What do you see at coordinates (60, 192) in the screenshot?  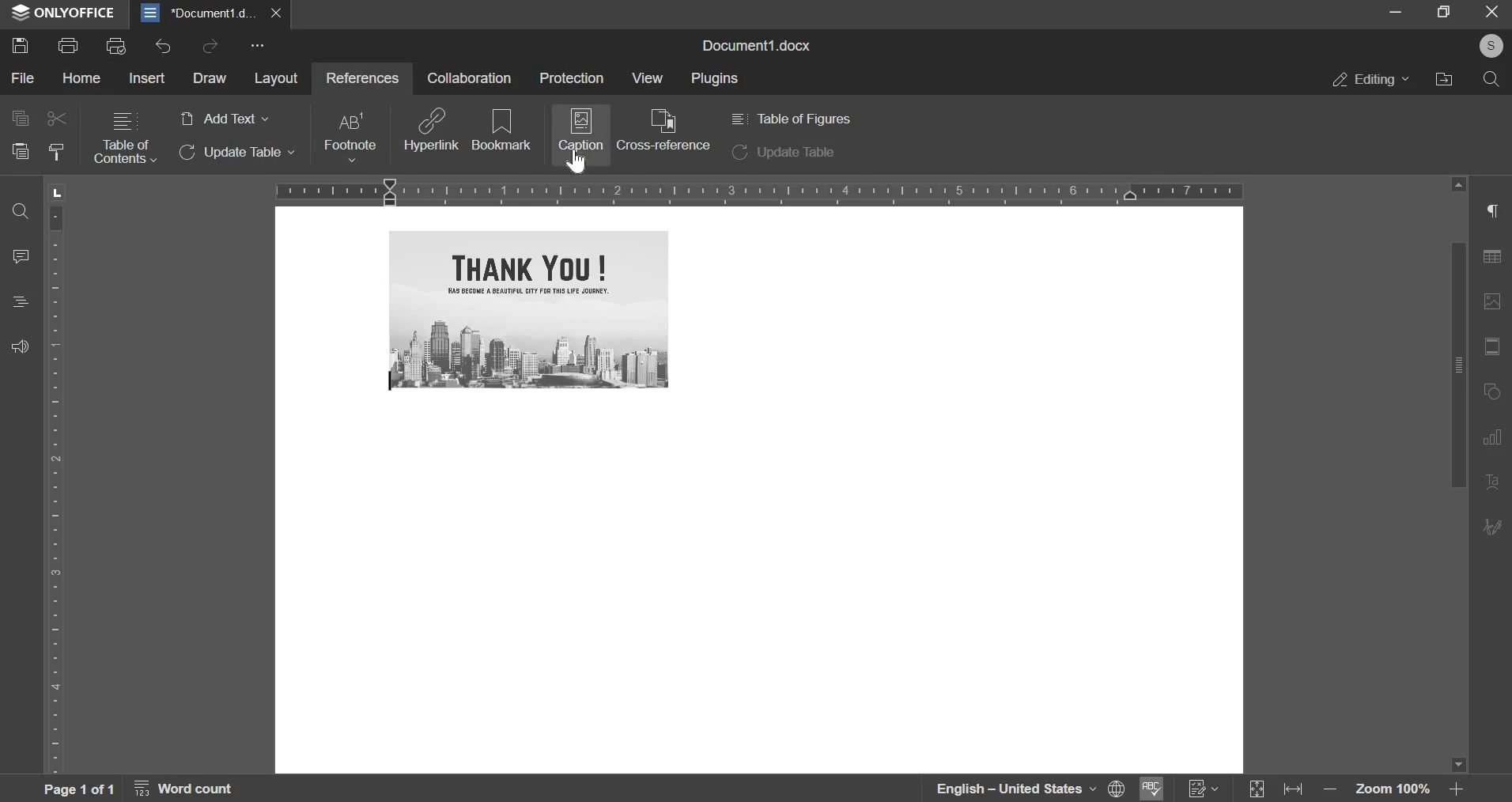 I see `L` at bounding box center [60, 192].